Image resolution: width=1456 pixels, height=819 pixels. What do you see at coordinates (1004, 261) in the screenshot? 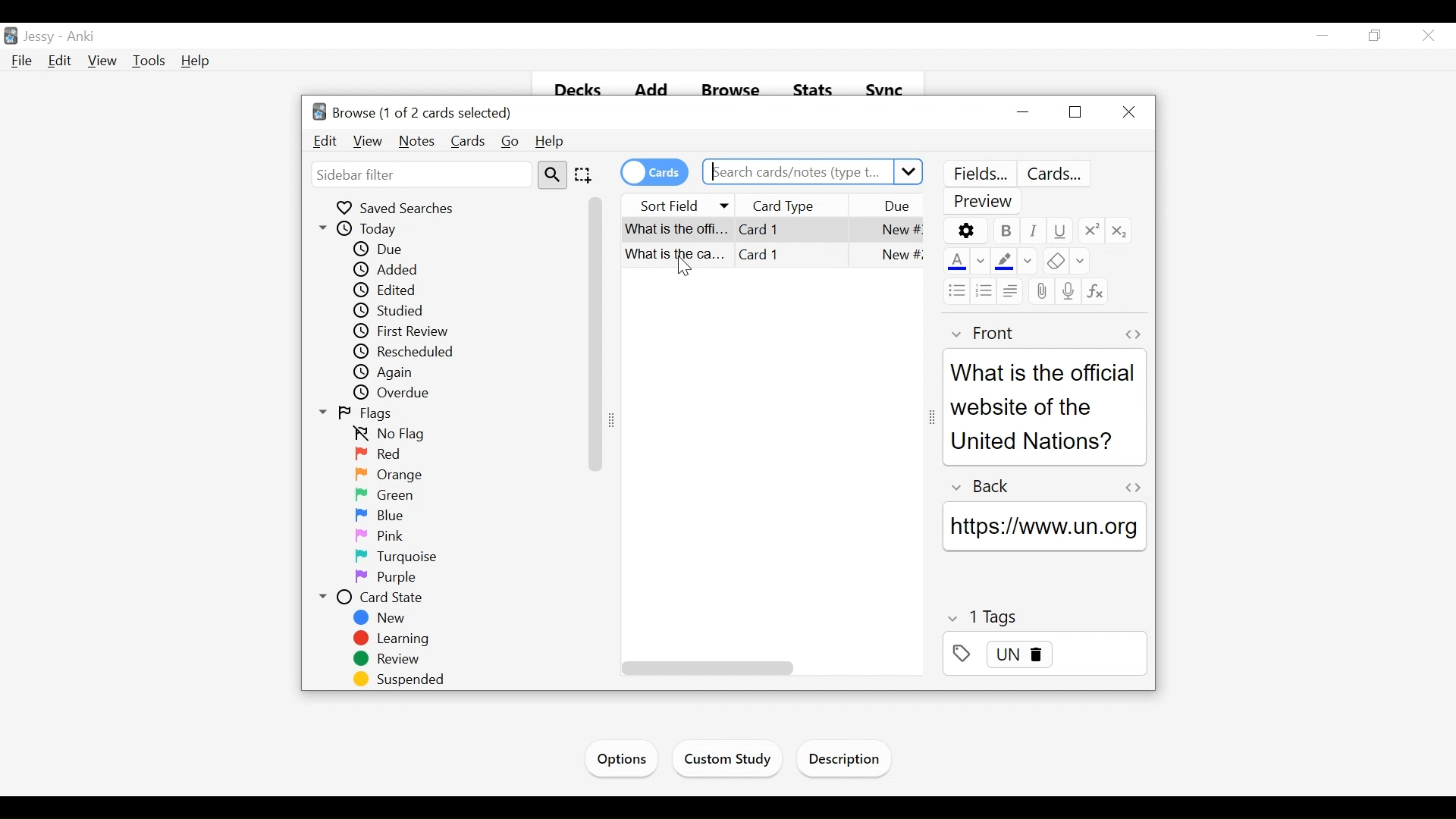
I see `Highlight color` at bounding box center [1004, 261].